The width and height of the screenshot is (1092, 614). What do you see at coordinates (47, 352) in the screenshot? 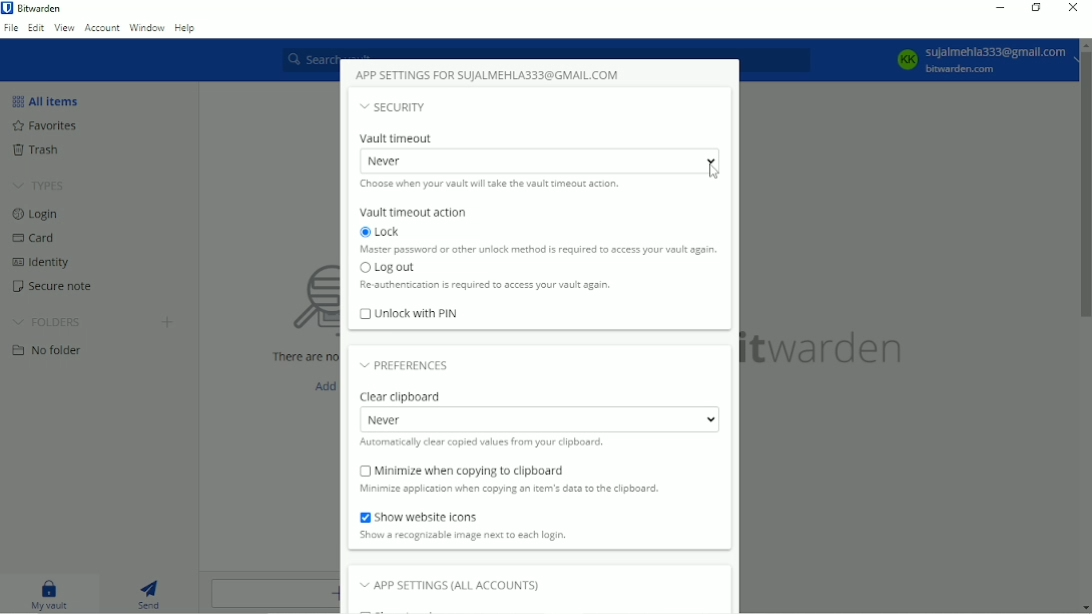
I see `No folder` at bounding box center [47, 352].